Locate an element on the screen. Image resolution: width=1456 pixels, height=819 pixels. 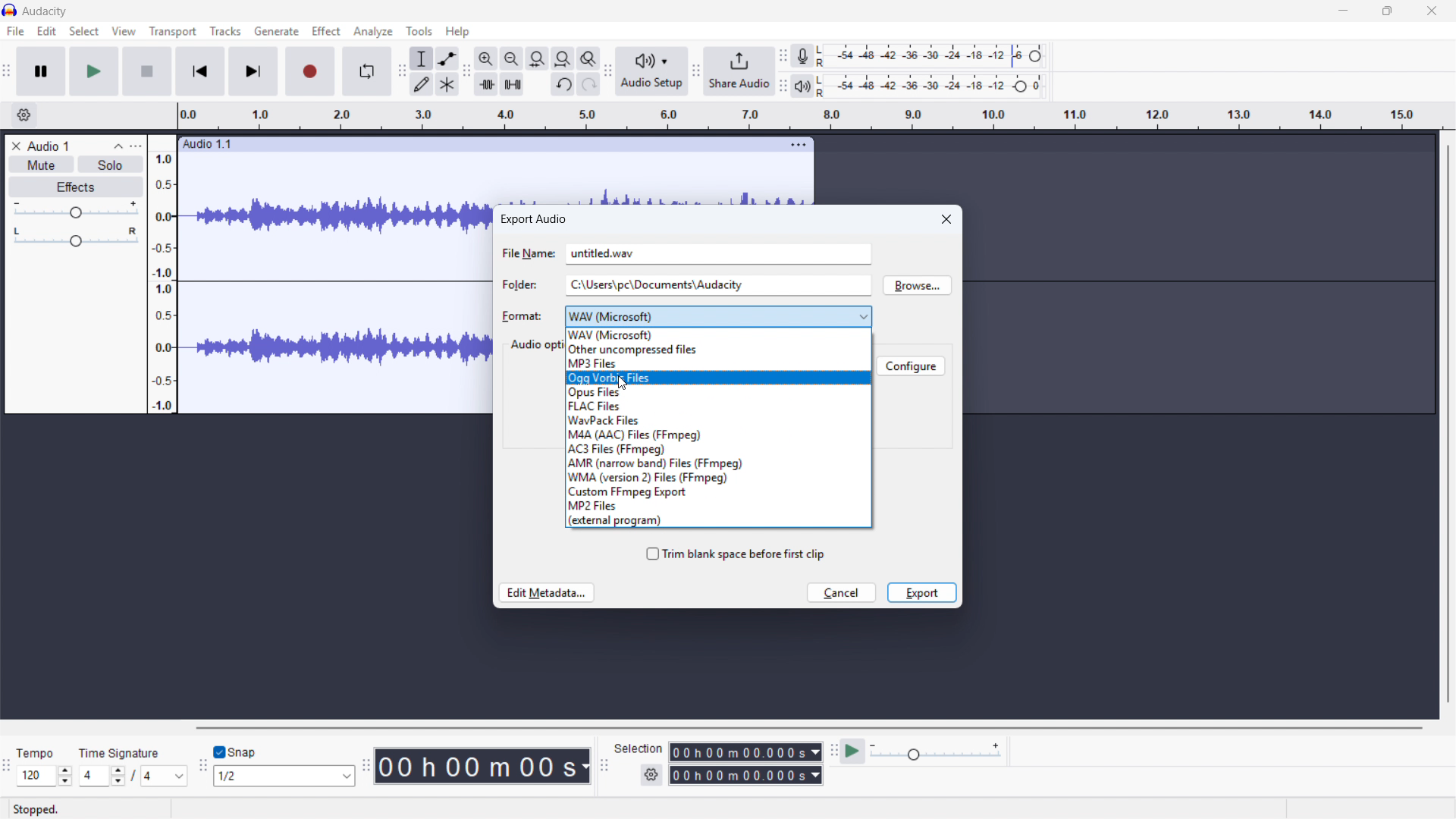
Tracks  is located at coordinates (227, 30).